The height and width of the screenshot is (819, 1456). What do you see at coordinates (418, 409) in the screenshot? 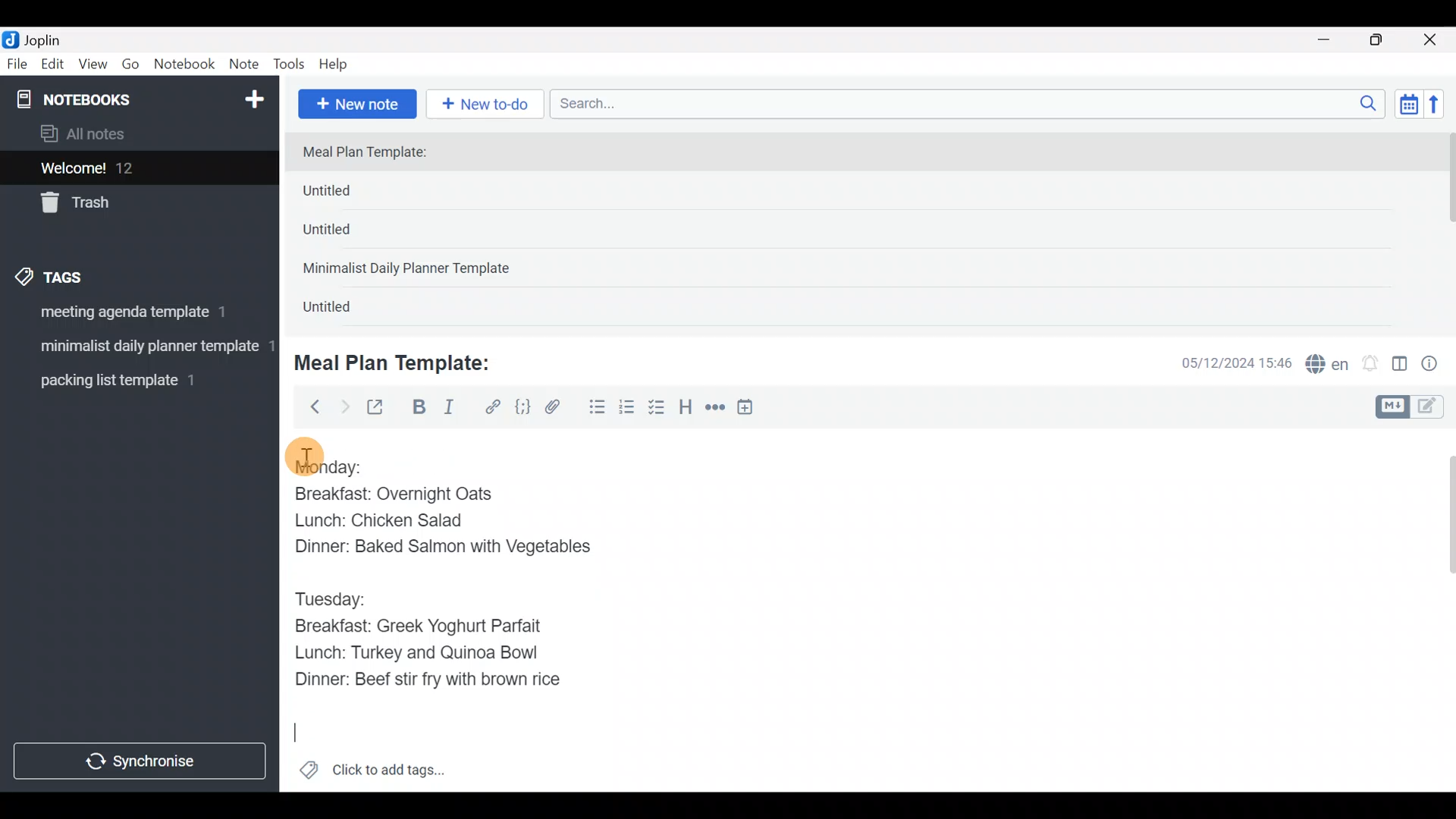
I see `Bold` at bounding box center [418, 409].